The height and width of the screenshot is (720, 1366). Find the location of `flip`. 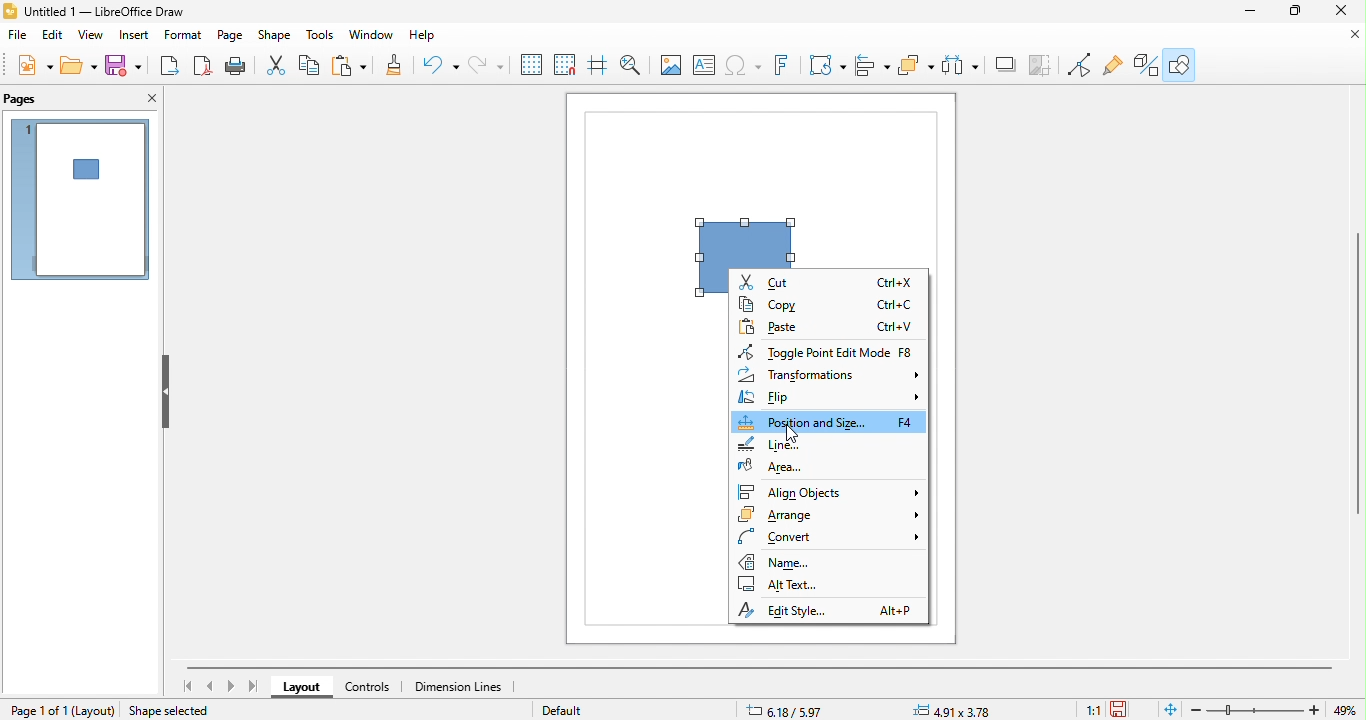

flip is located at coordinates (827, 399).